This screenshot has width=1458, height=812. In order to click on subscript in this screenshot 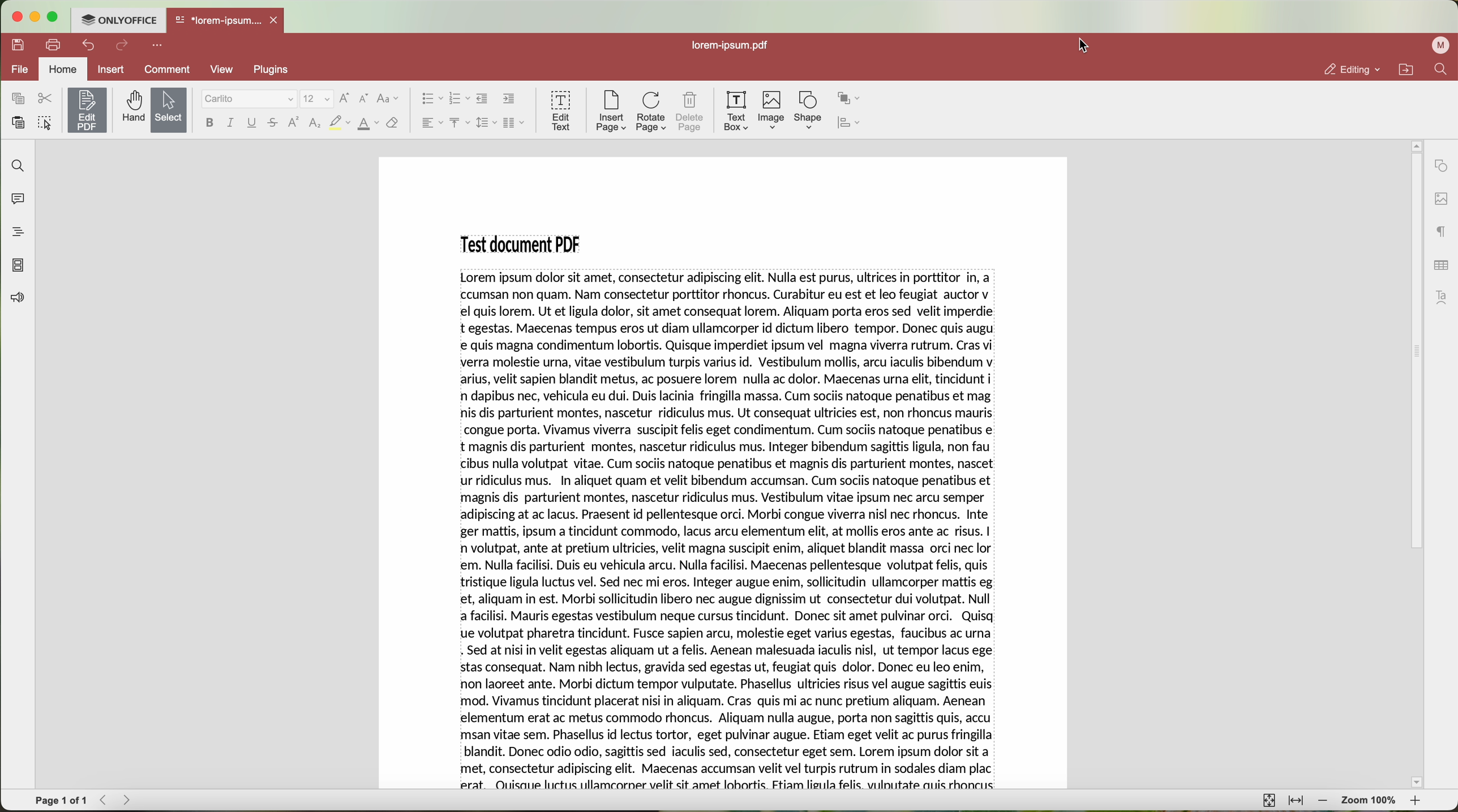, I will do `click(315, 124)`.